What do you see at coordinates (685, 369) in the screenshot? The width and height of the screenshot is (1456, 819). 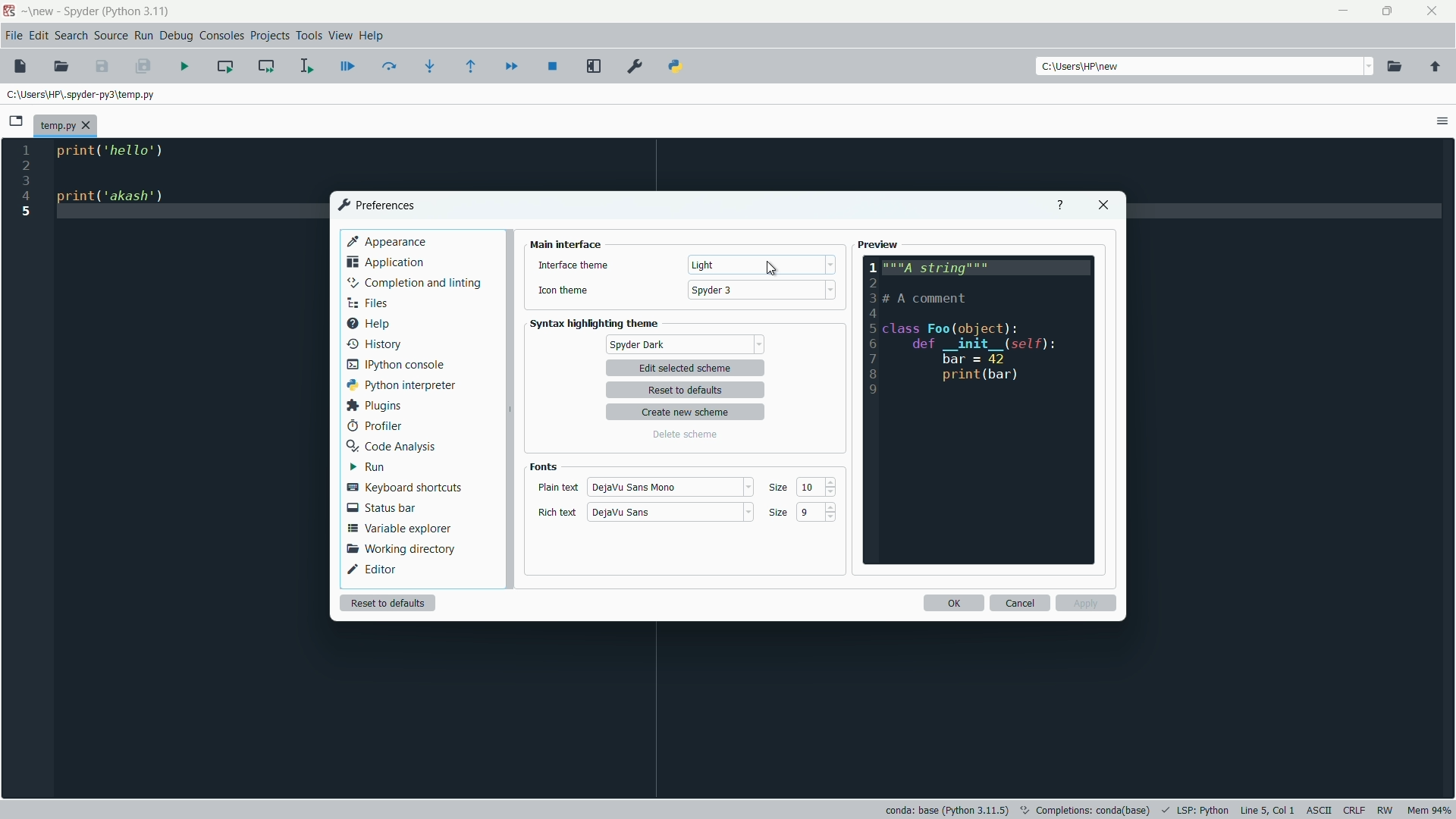 I see `edit selected scheme` at bounding box center [685, 369].